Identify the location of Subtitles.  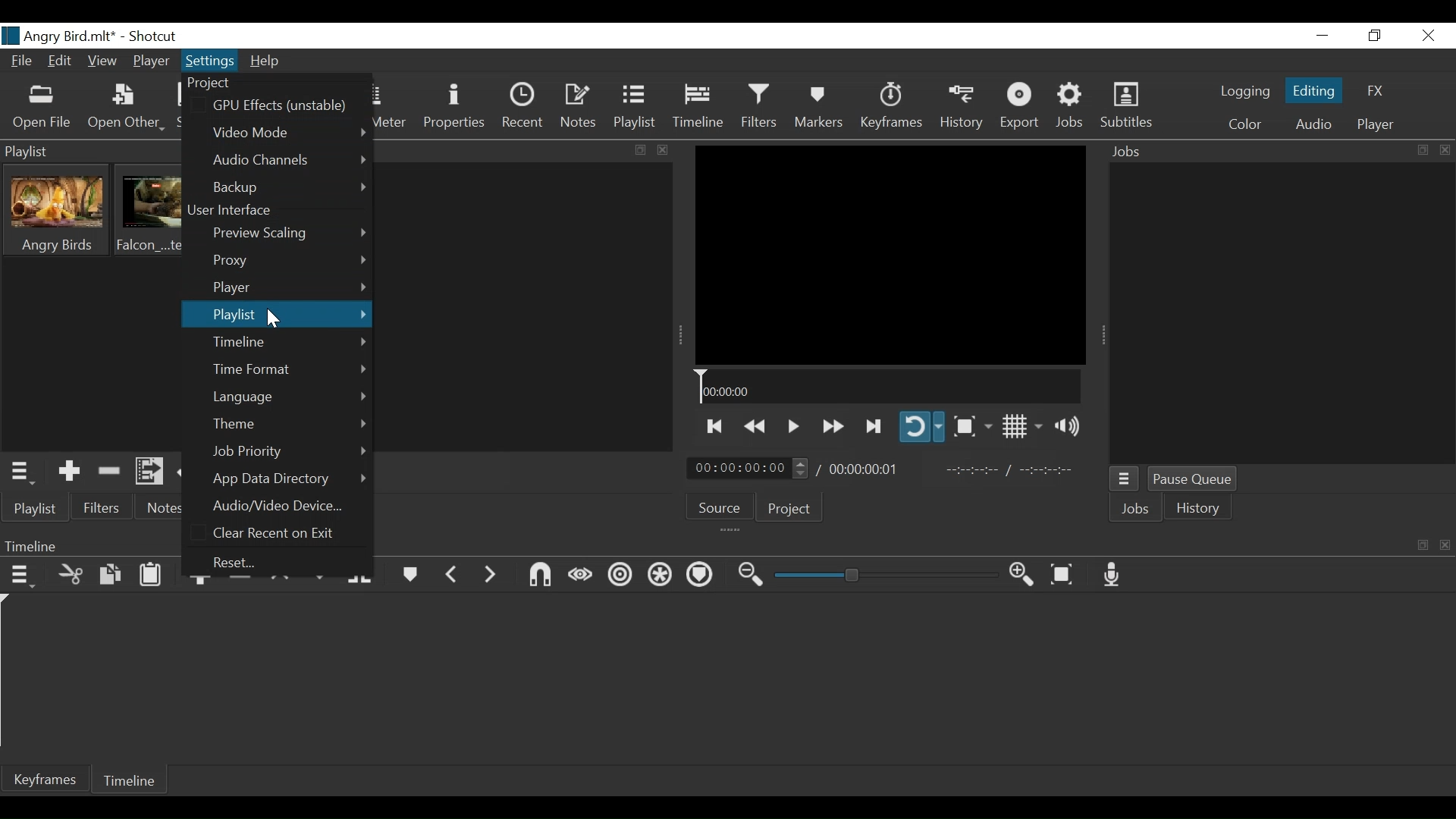
(1127, 106).